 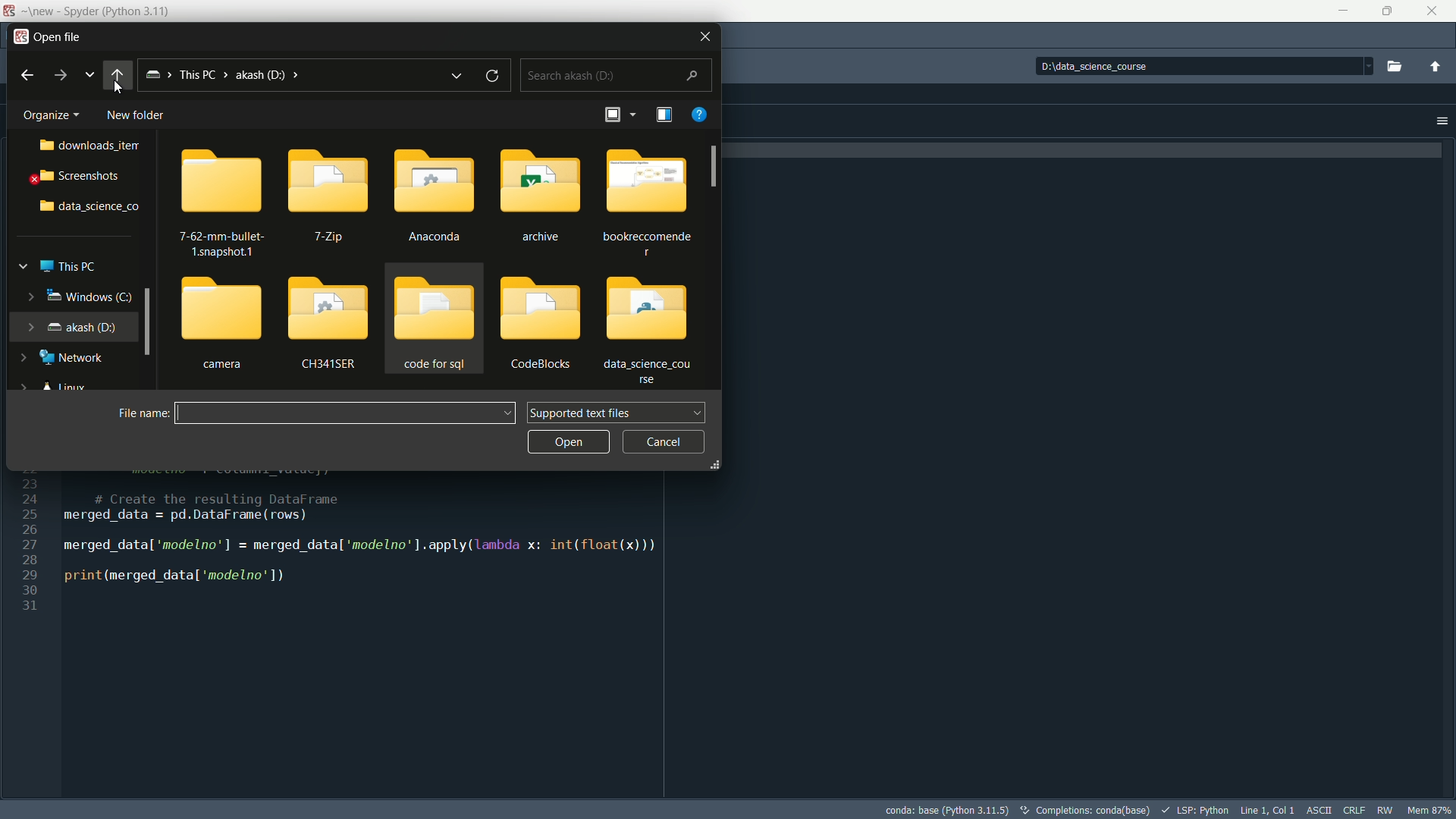 I want to click on cancel, so click(x=663, y=442).